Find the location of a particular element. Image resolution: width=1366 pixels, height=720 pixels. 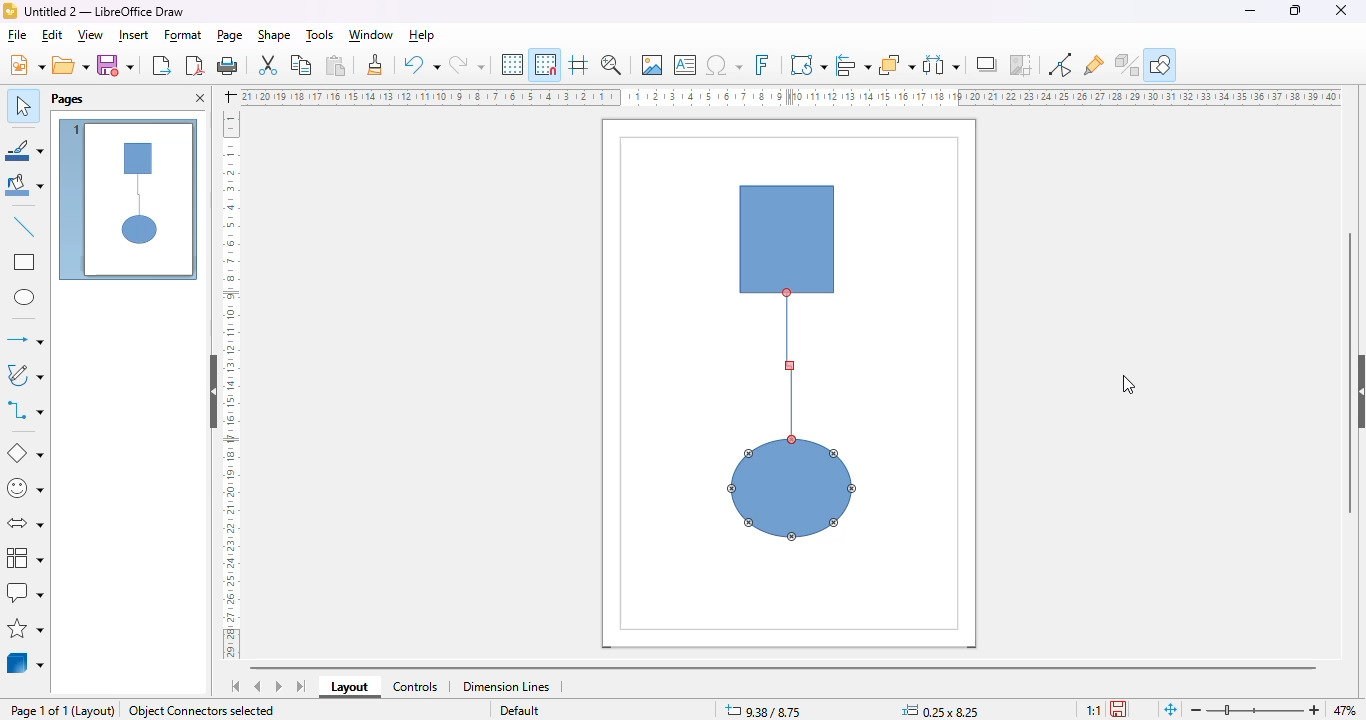

zoom & pan is located at coordinates (611, 64).